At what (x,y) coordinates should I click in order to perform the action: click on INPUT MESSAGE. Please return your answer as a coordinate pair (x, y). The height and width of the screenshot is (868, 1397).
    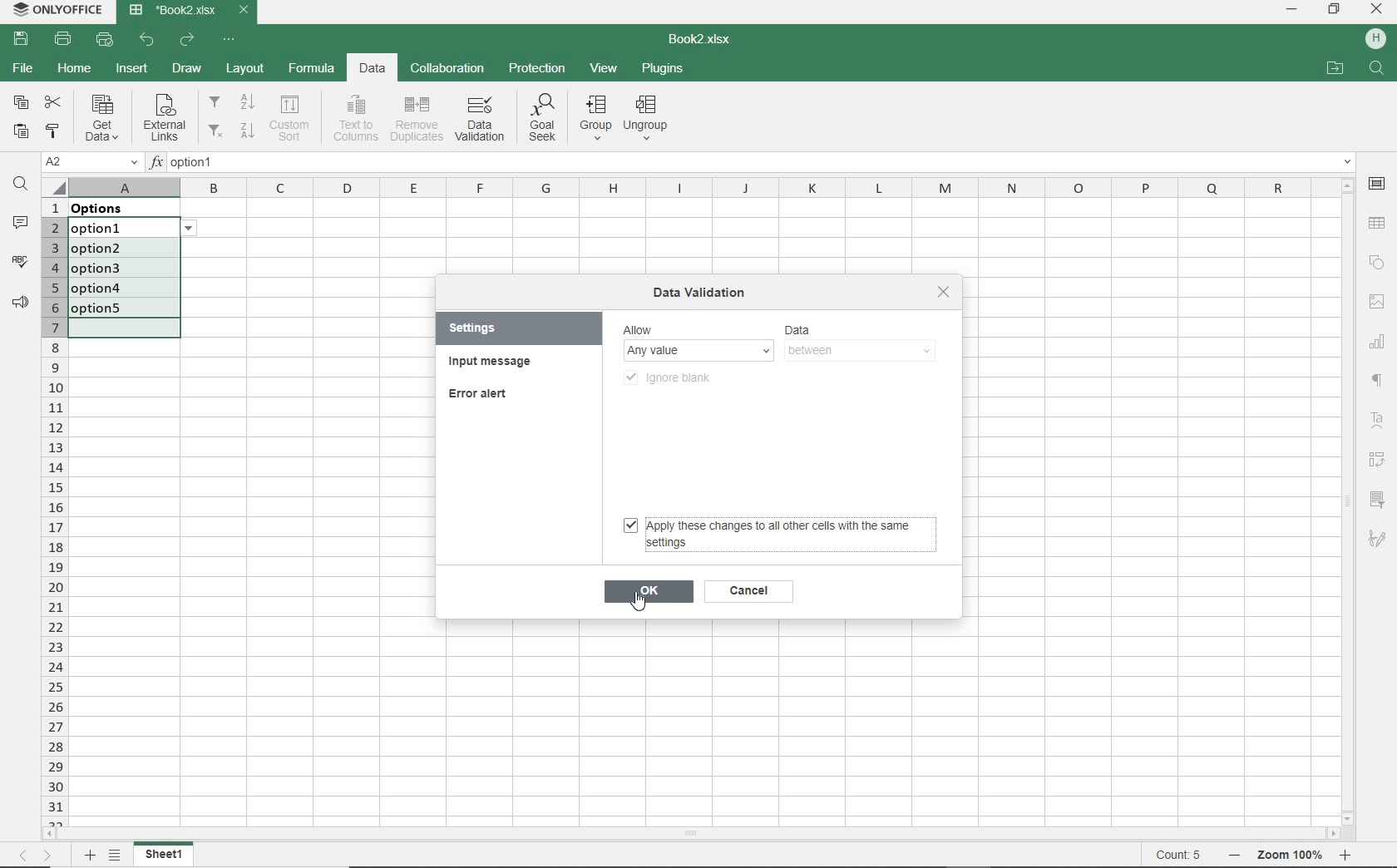
    Looking at the image, I should click on (493, 363).